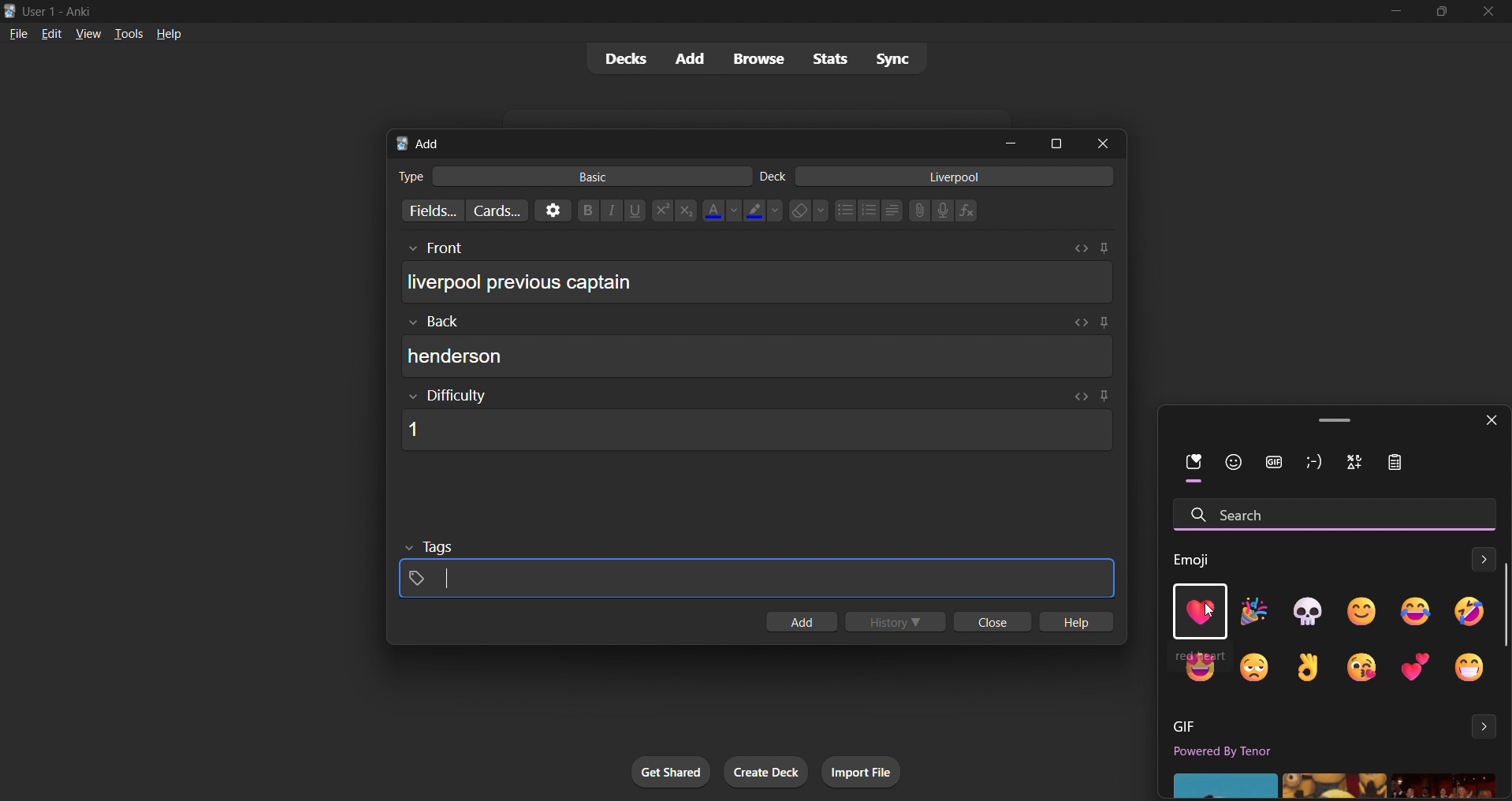  Describe the element at coordinates (867, 770) in the screenshot. I see `import file` at that location.